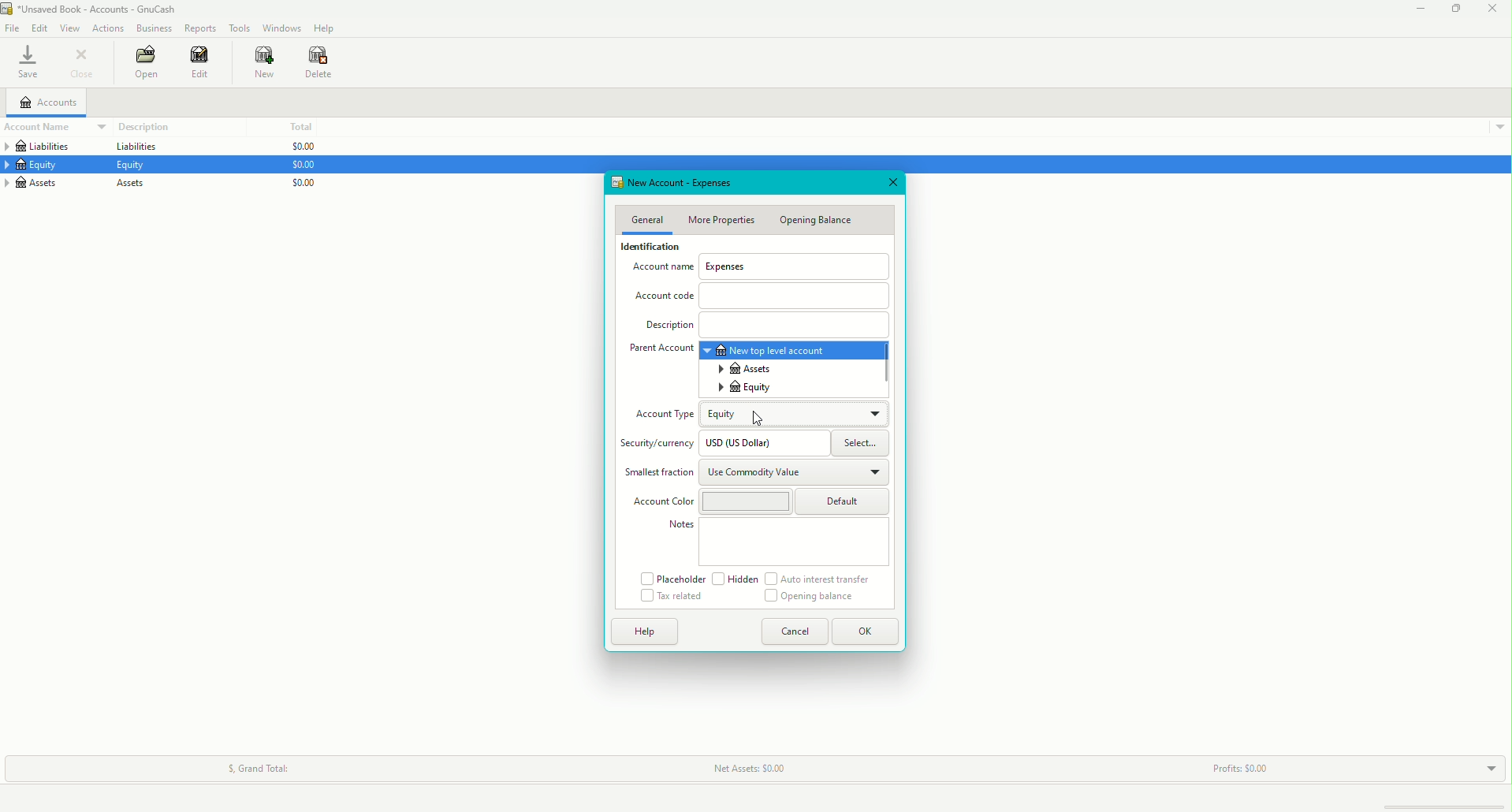  I want to click on Open, so click(142, 63).